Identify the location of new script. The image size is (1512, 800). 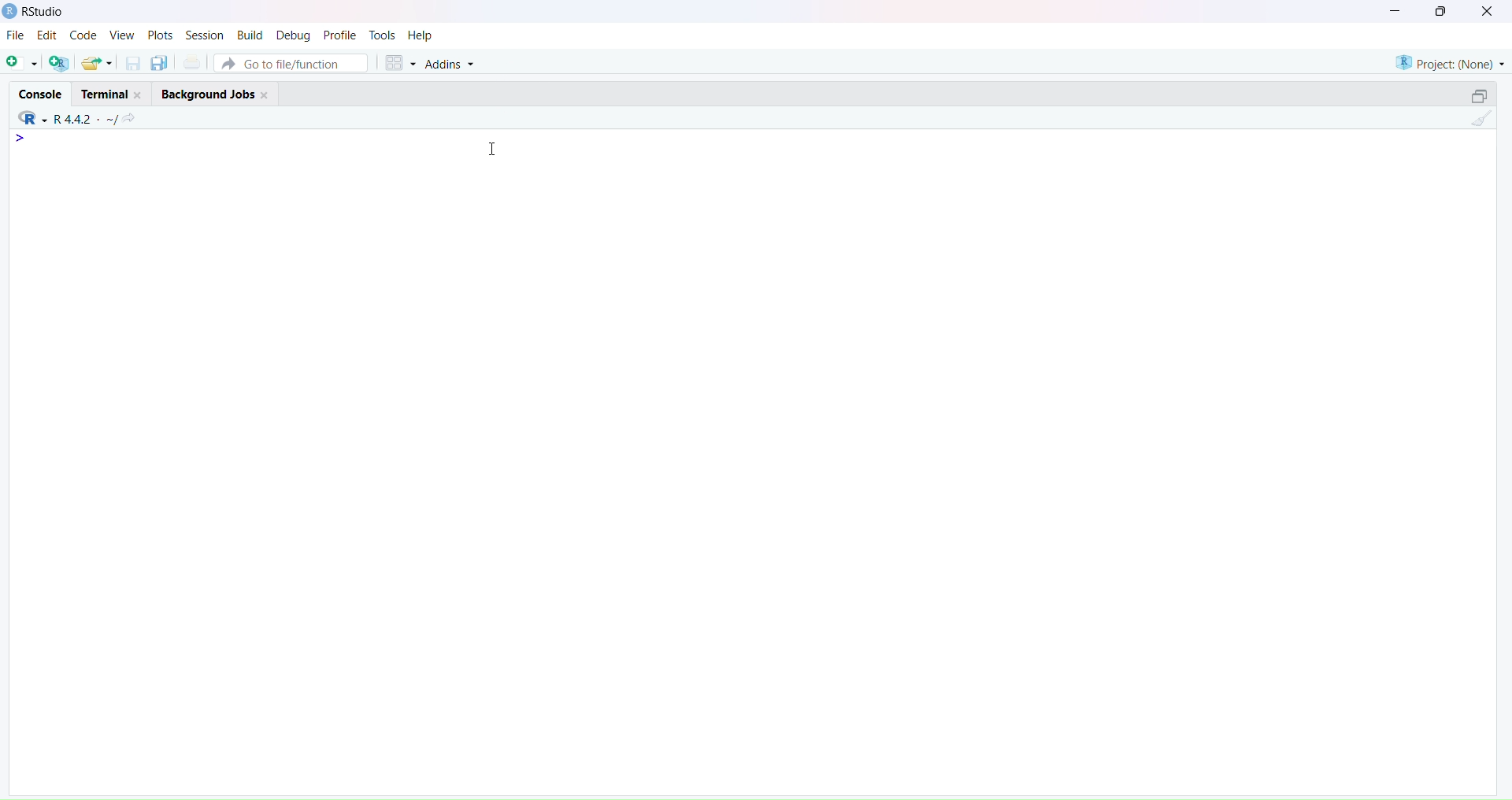
(23, 63).